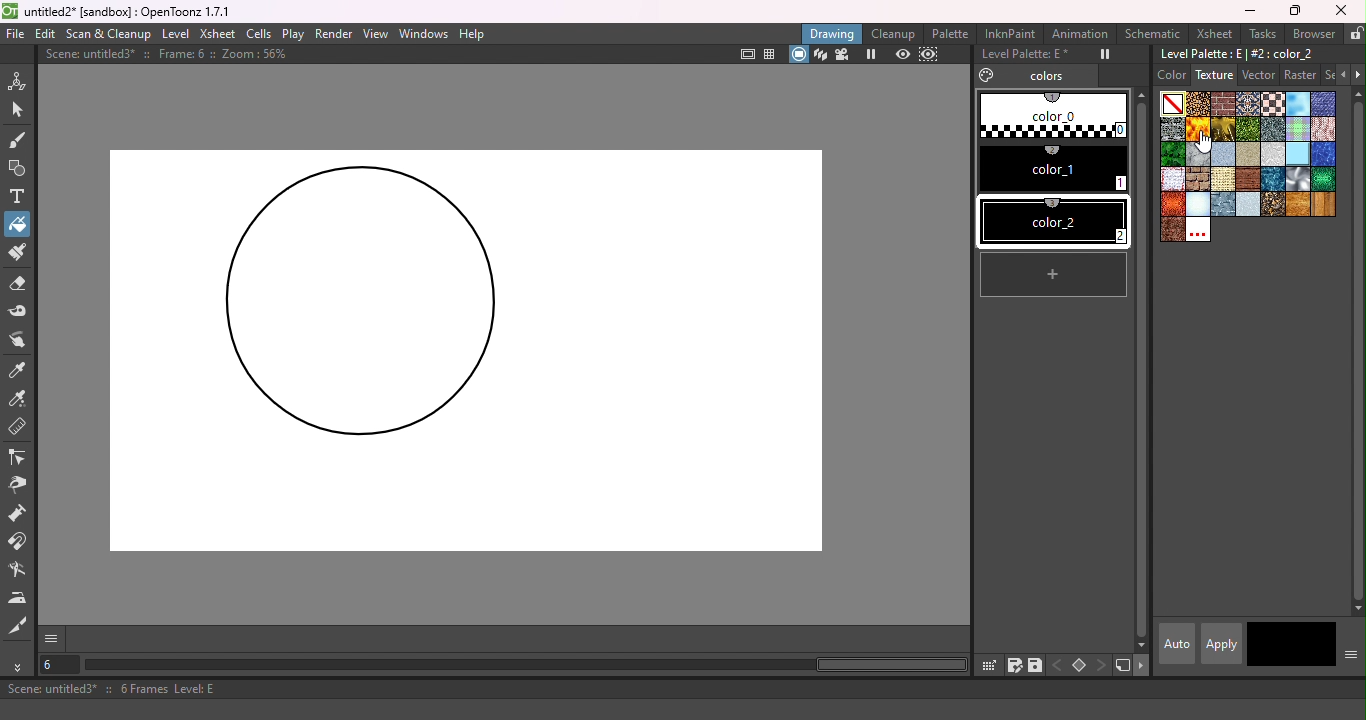 The width and height of the screenshot is (1366, 720). Describe the element at coordinates (1312, 35) in the screenshot. I see `Browser` at that location.